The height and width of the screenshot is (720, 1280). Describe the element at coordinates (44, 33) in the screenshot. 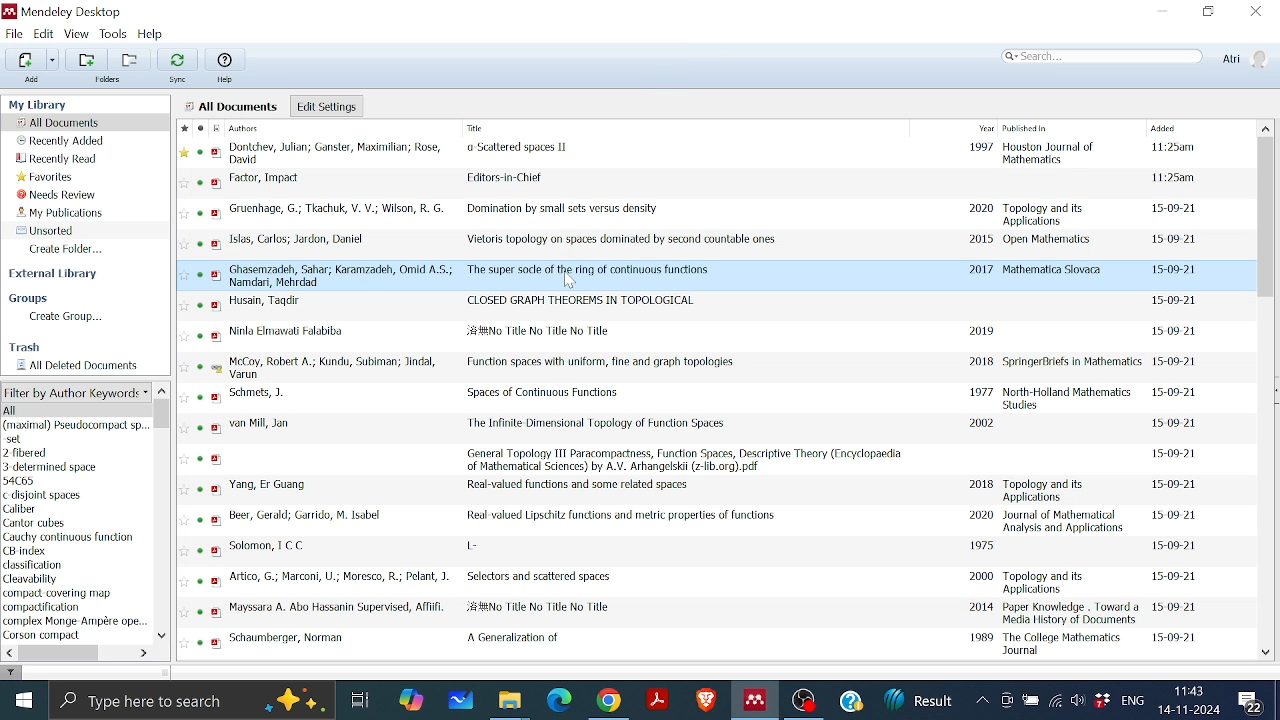

I see `Edit` at that location.